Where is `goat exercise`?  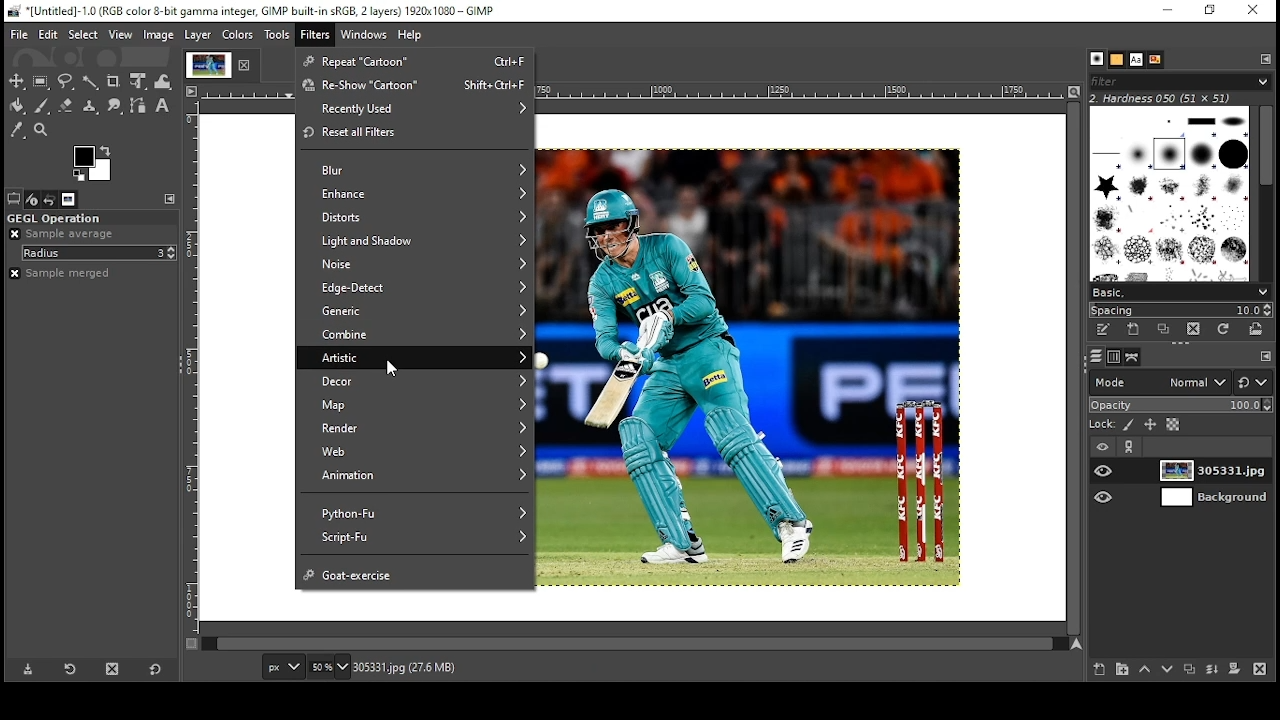
goat exercise is located at coordinates (416, 573).